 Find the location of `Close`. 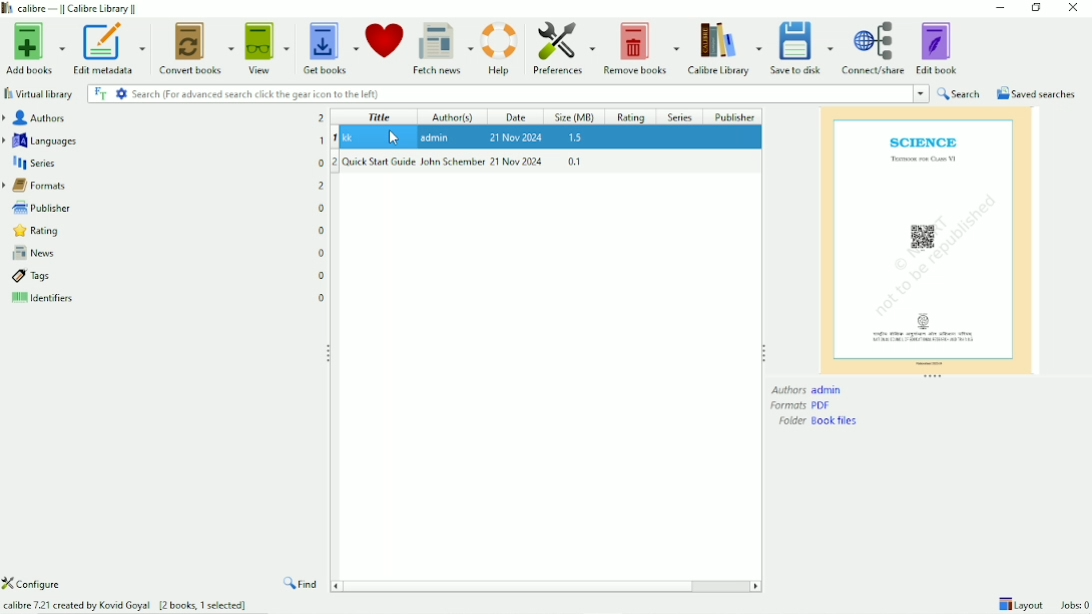

Close is located at coordinates (1072, 9).